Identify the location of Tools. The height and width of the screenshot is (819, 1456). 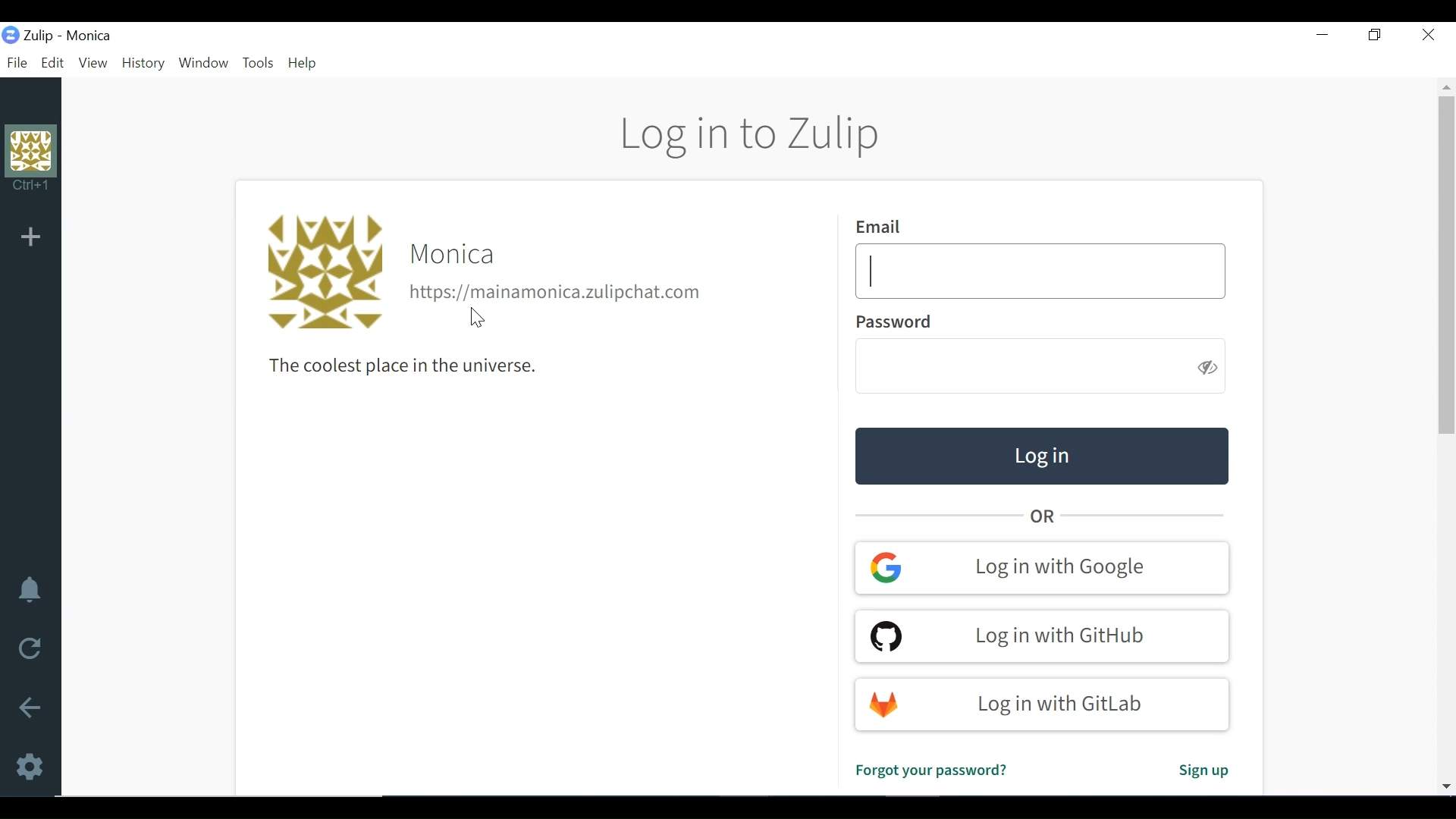
(259, 64).